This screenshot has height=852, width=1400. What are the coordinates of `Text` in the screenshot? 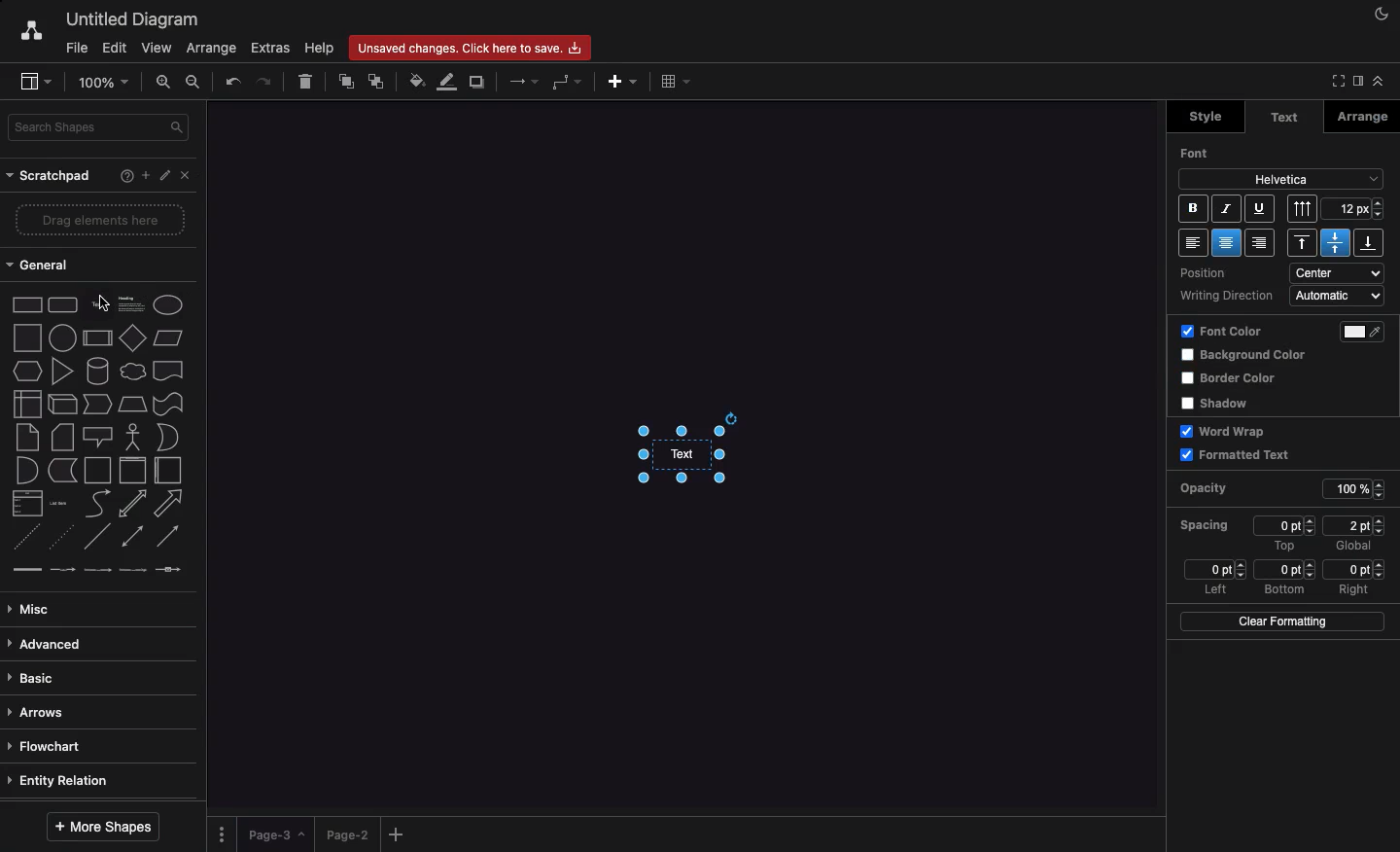 It's located at (703, 455).